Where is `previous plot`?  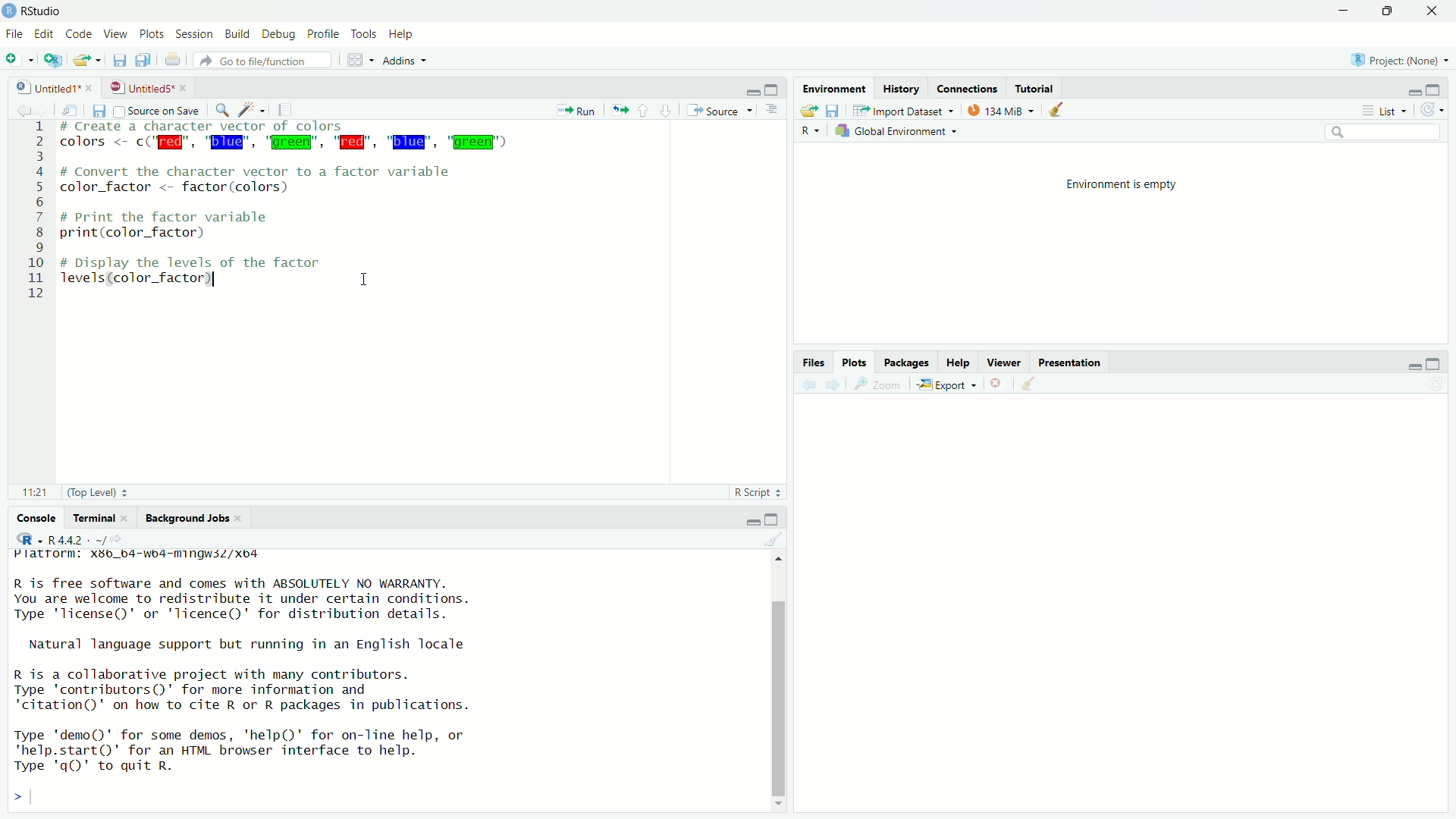 previous plot is located at coordinates (805, 384).